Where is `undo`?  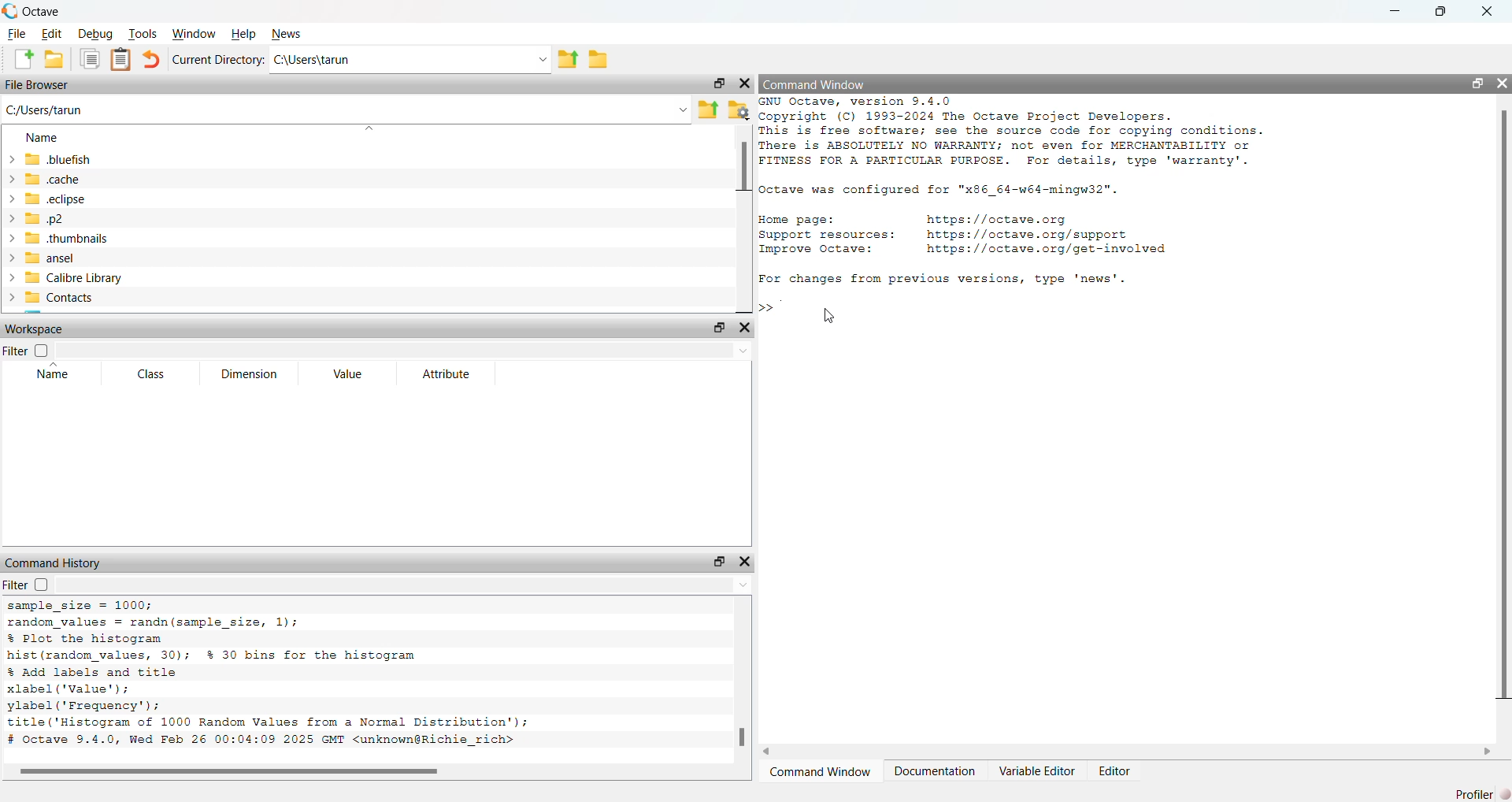
undo is located at coordinates (151, 58).